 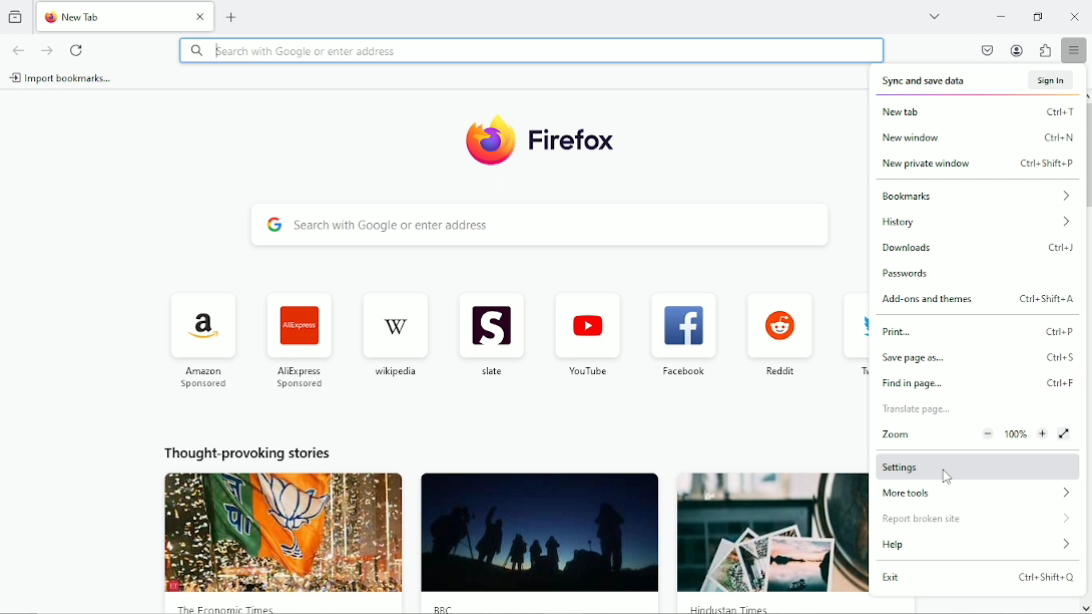 I want to click on view fullscreen, so click(x=1066, y=432).